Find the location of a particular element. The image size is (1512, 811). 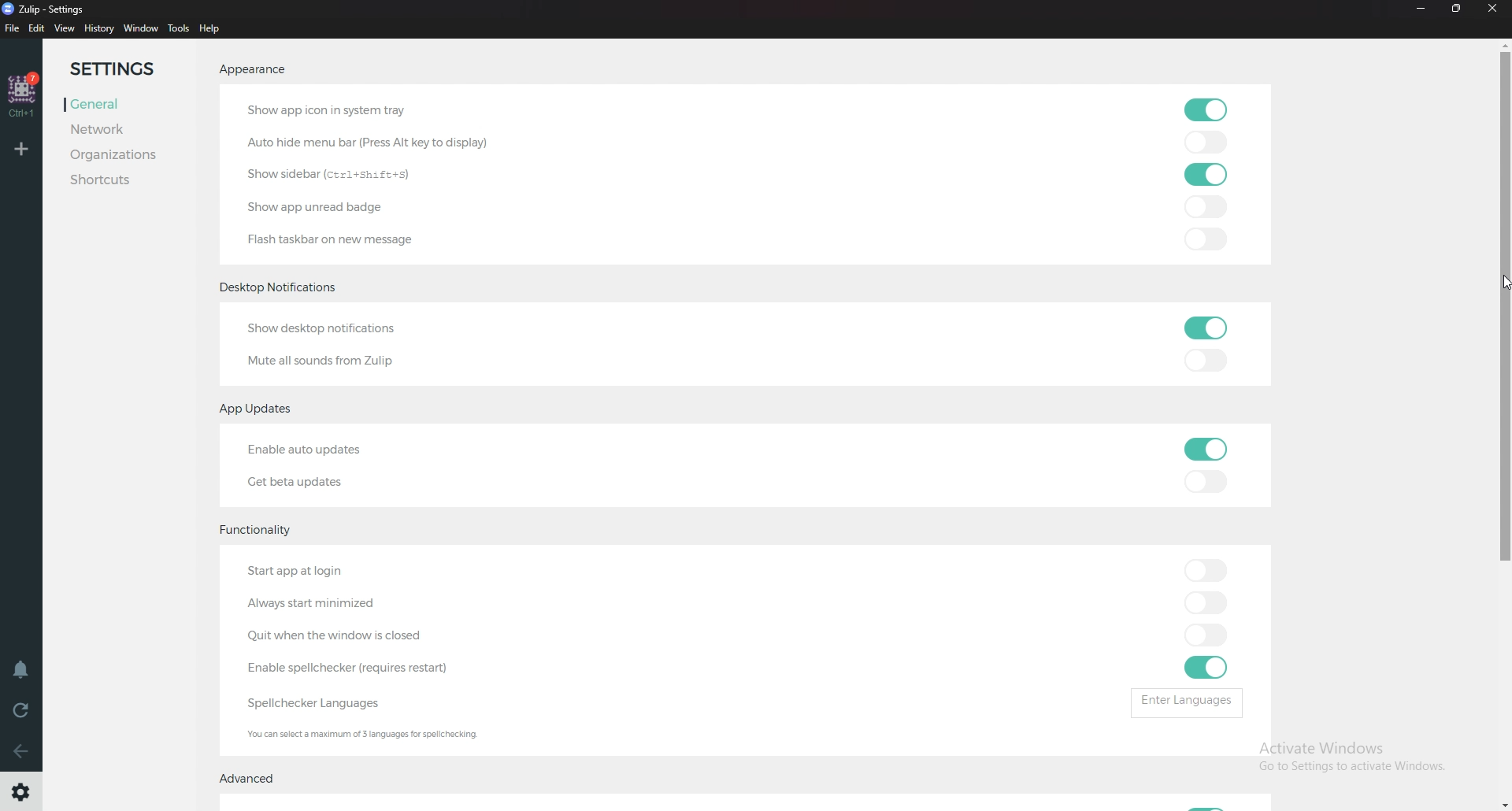

Shortcuts is located at coordinates (113, 180).